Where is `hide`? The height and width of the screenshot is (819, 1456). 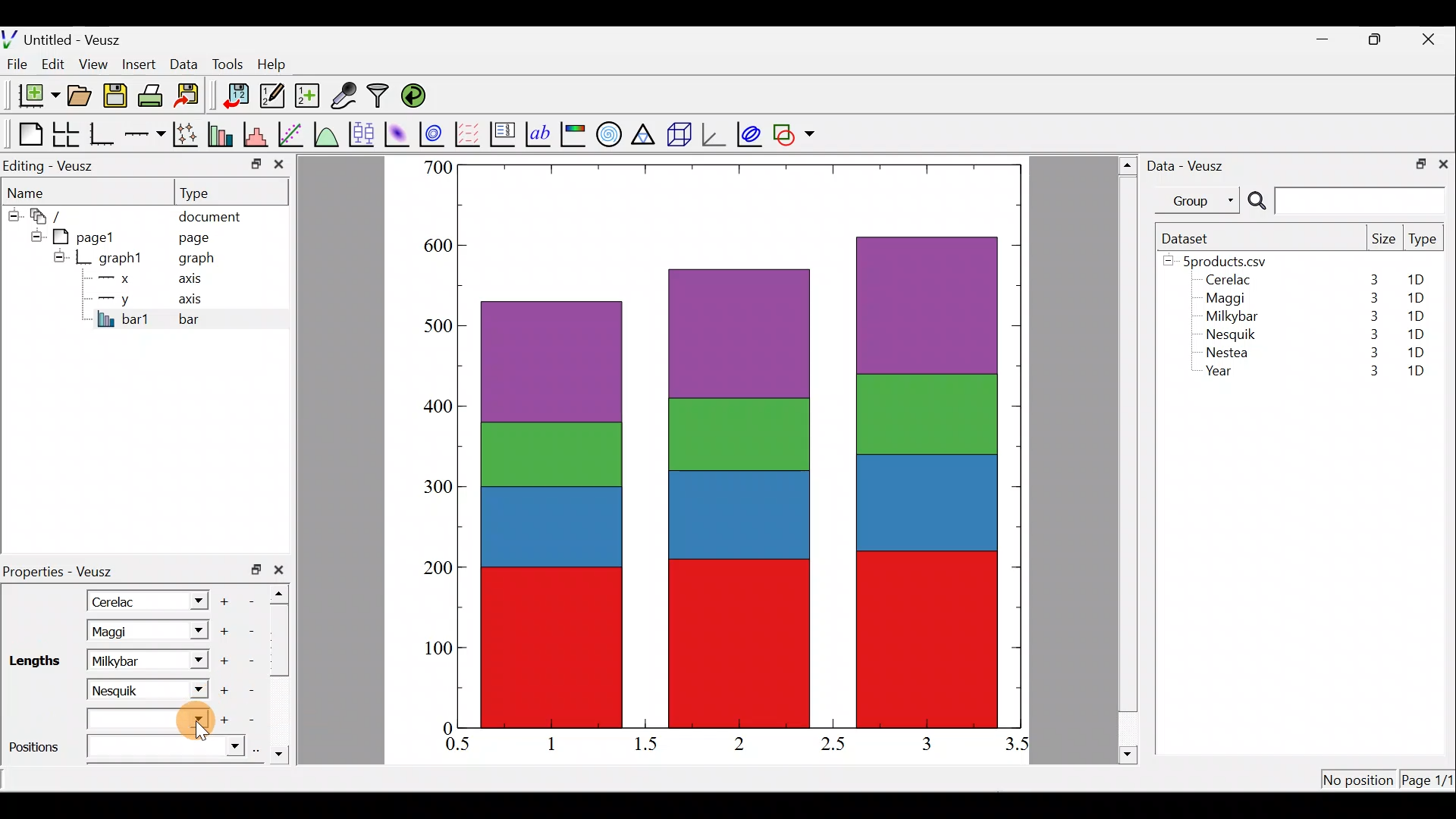
hide is located at coordinates (12, 213).